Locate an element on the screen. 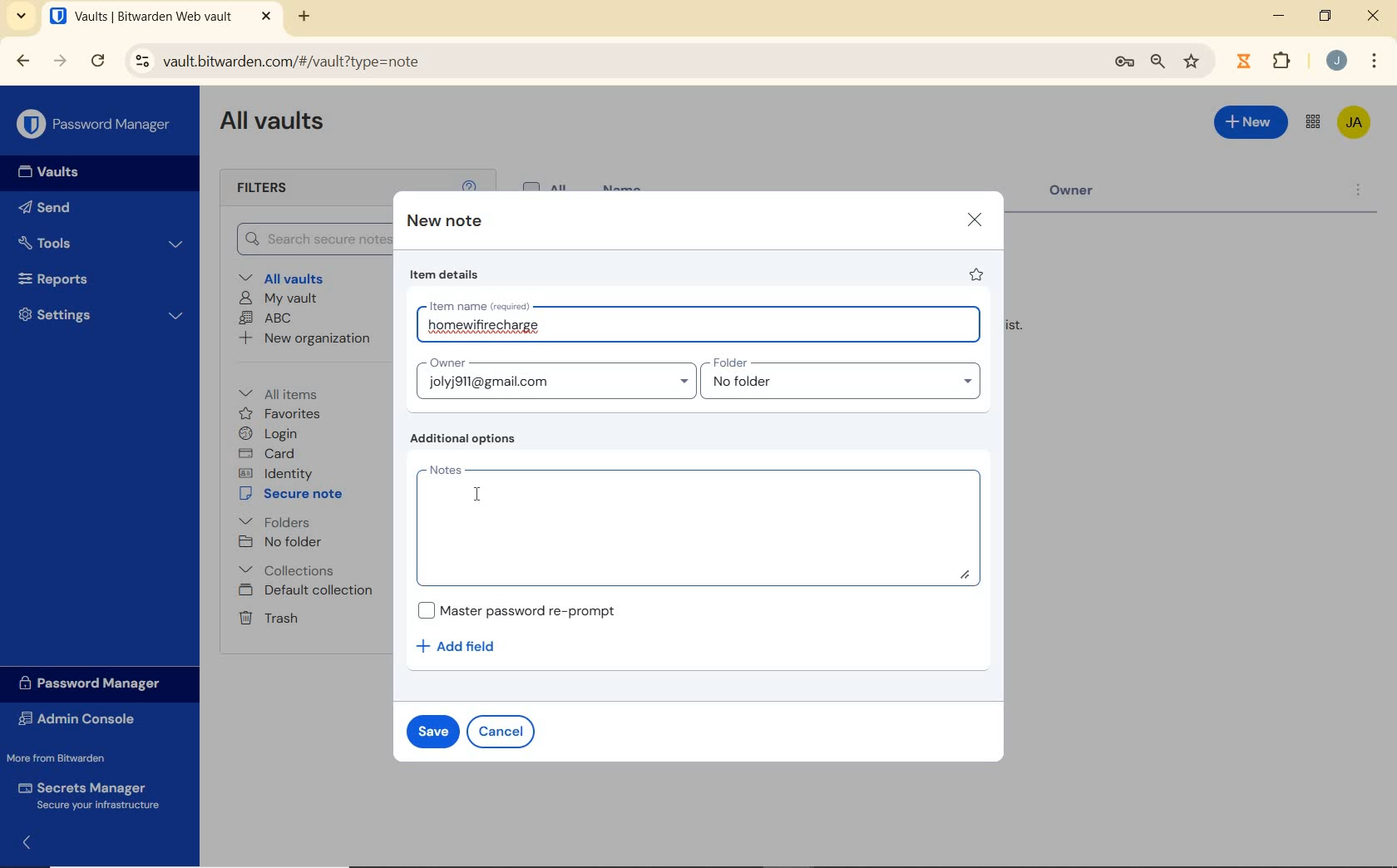  save is located at coordinates (432, 730).